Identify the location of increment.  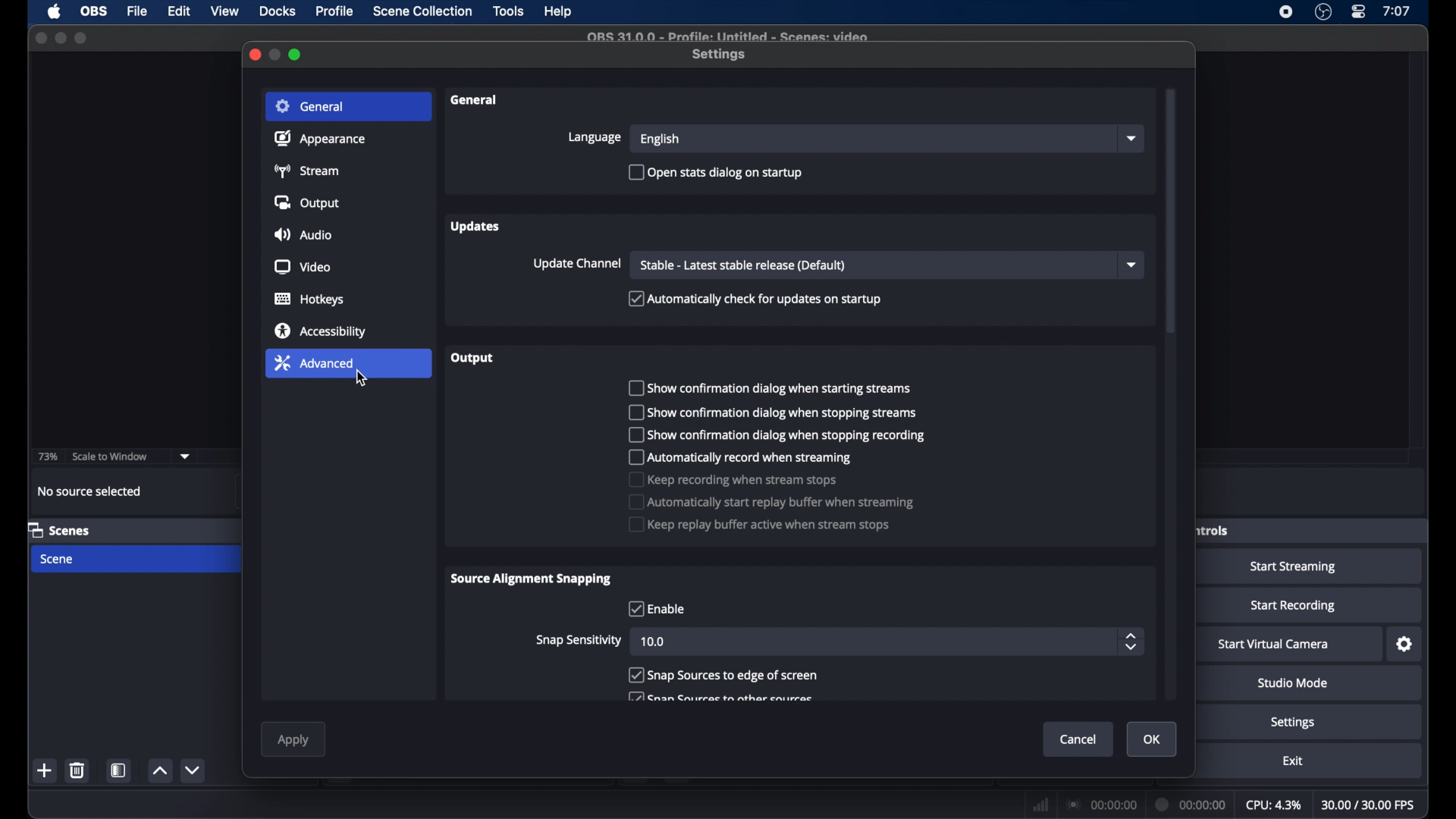
(160, 771).